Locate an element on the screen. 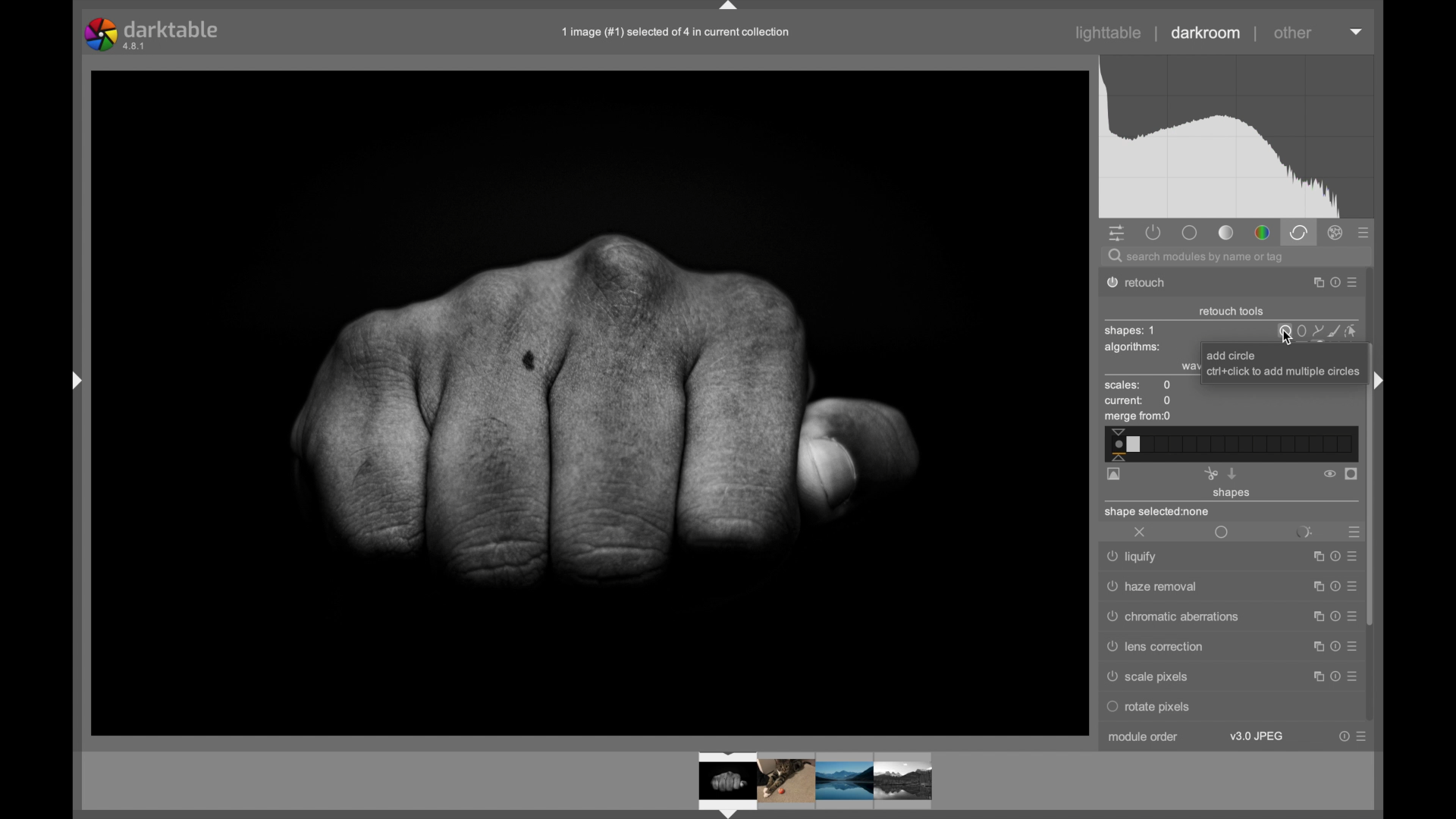 The height and width of the screenshot is (819, 1456). algorithms is located at coordinates (1134, 349).